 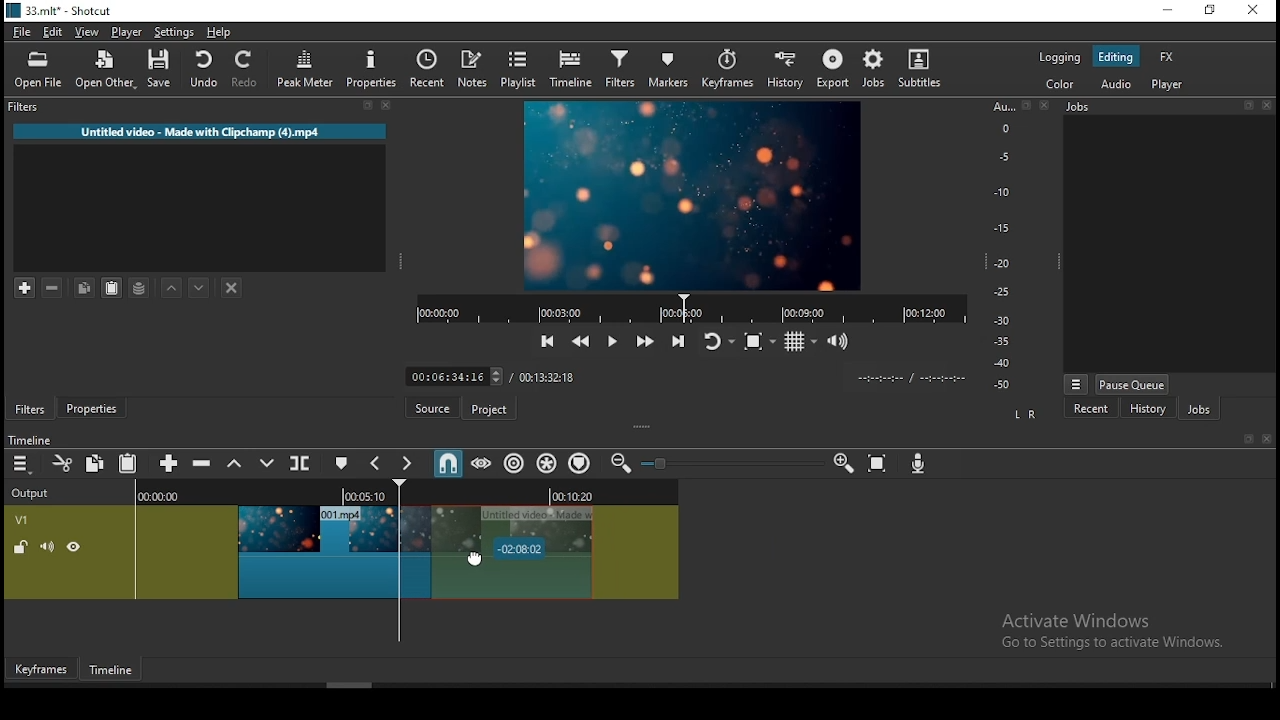 What do you see at coordinates (235, 464) in the screenshot?
I see `lift` at bounding box center [235, 464].